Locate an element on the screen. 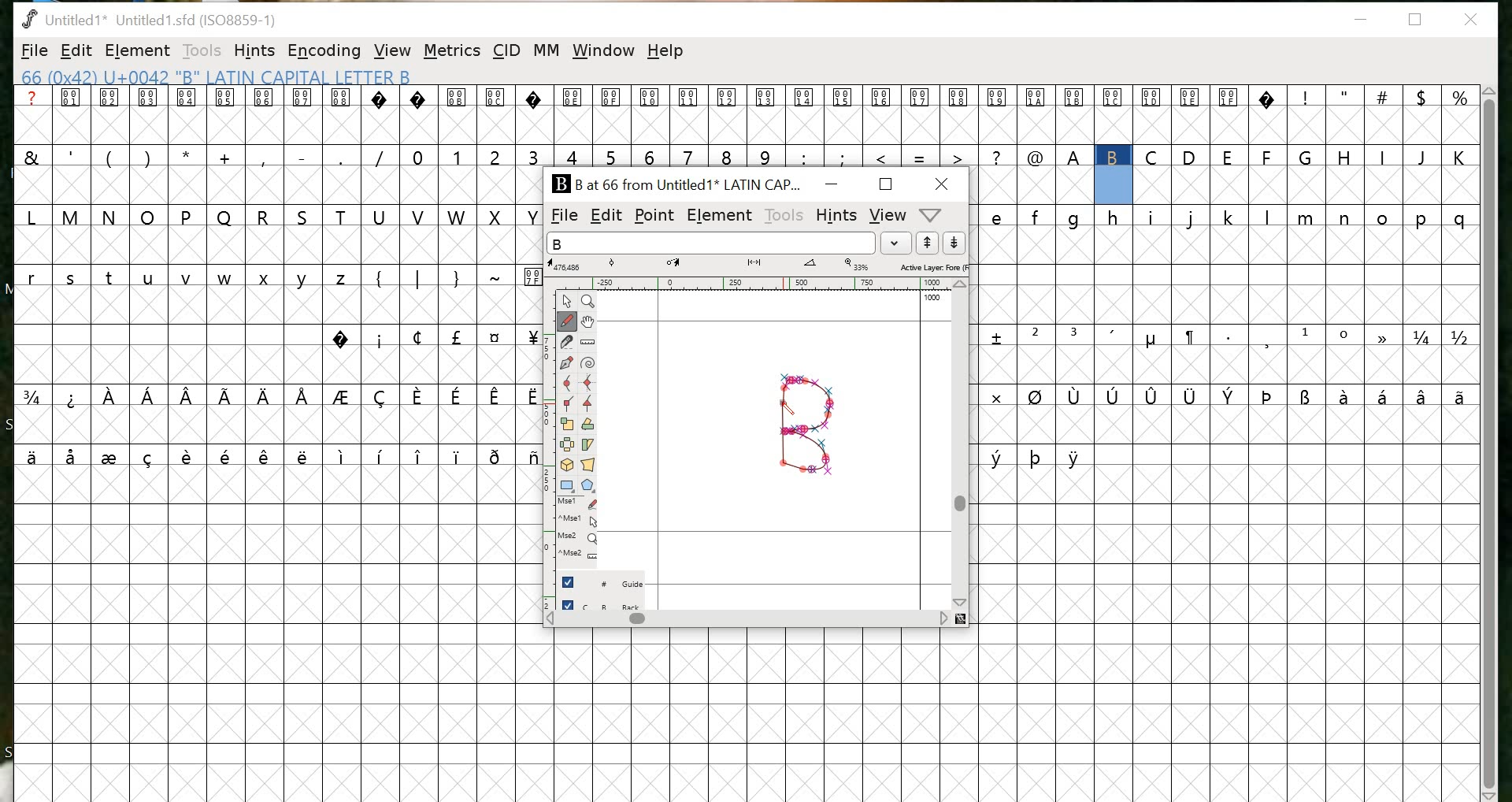 The image size is (1512, 802). B at 66 from Untitled1 LATIN CAPI... is located at coordinates (675, 182).